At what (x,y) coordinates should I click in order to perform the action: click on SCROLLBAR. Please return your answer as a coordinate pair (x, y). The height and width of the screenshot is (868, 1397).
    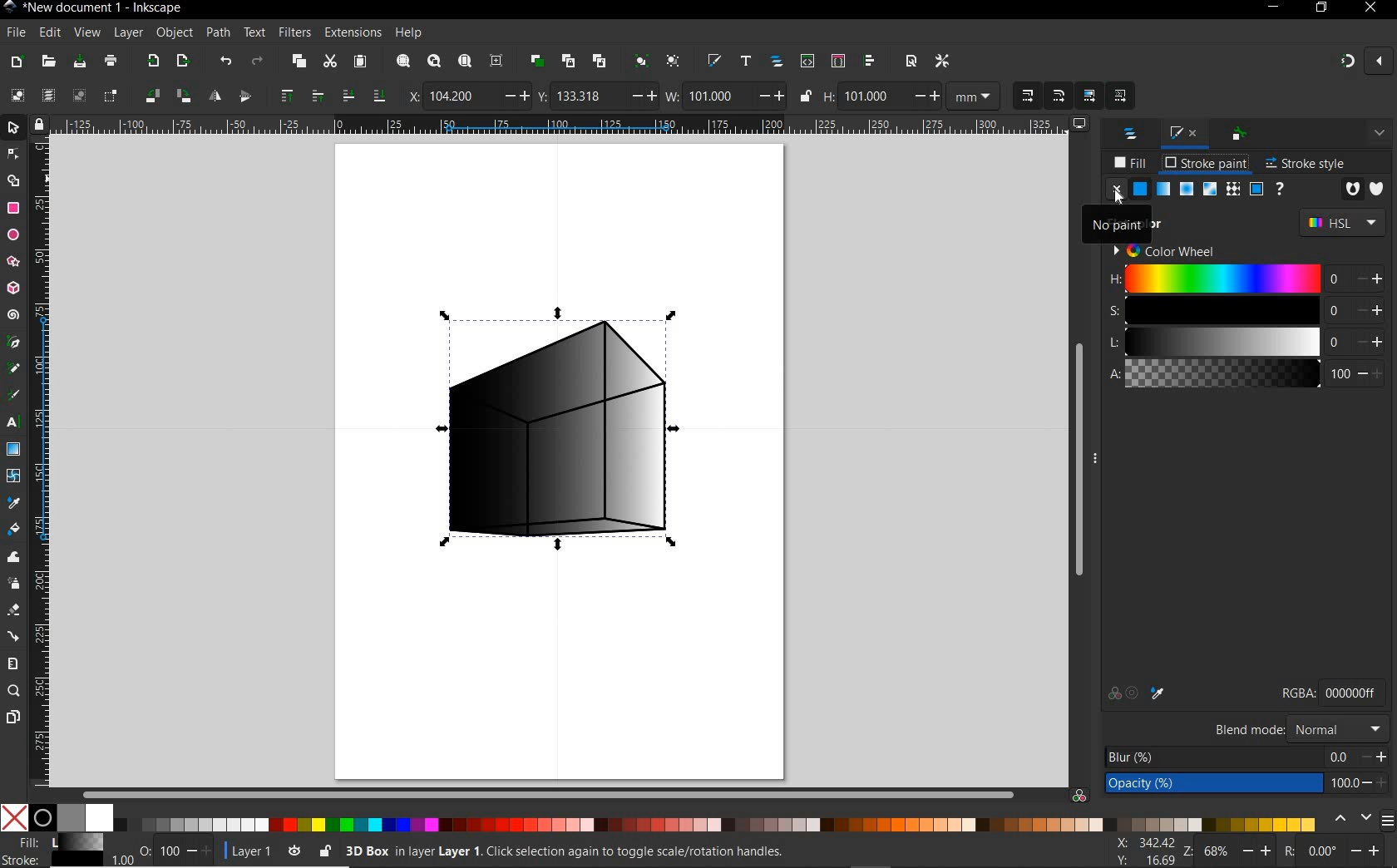
    Looking at the image, I should click on (1075, 461).